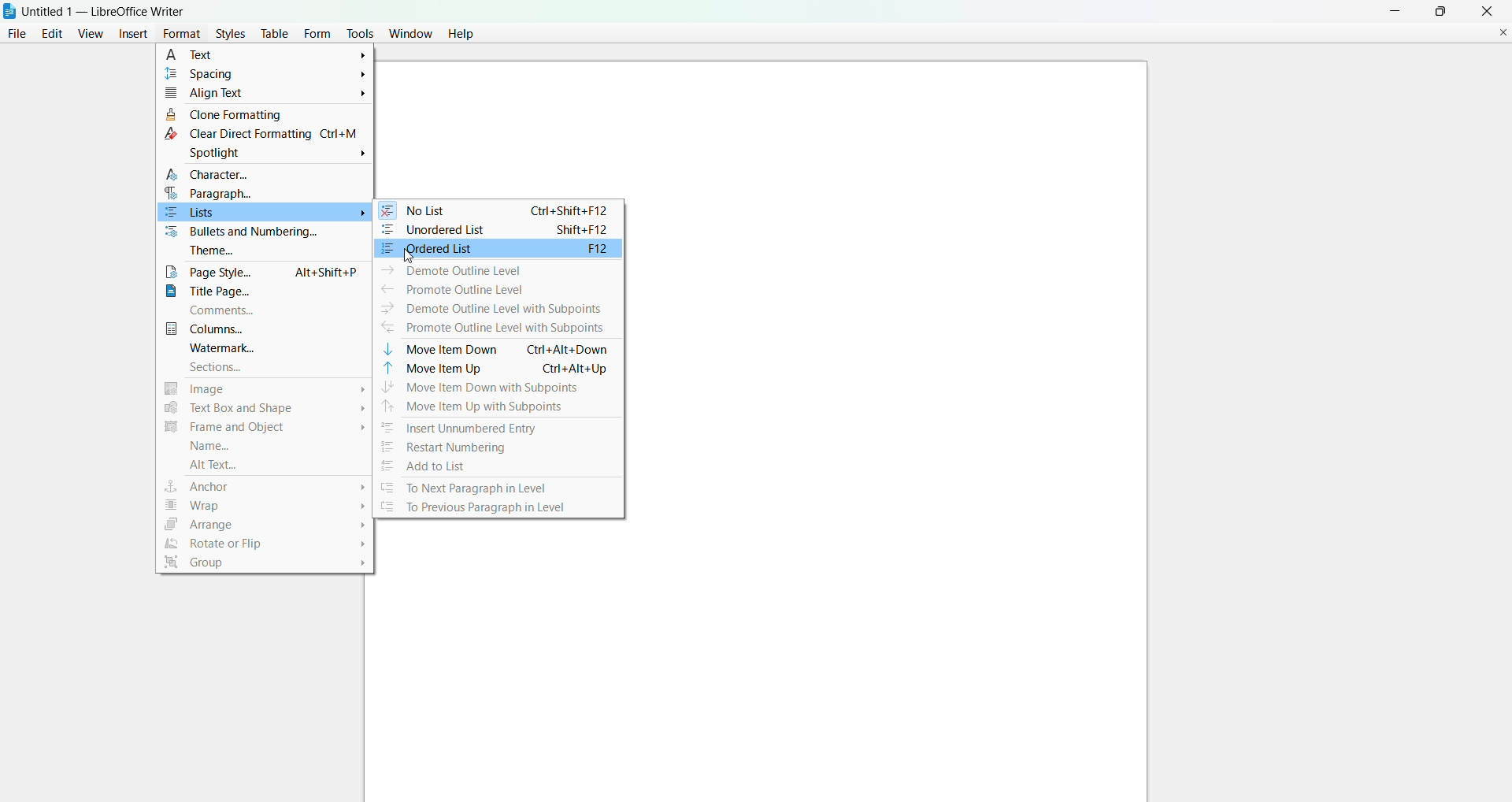 The width and height of the screenshot is (1512, 802). What do you see at coordinates (473, 407) in the screenshot?
I see `move item up with subpoints` at bounding box center [473, 407].